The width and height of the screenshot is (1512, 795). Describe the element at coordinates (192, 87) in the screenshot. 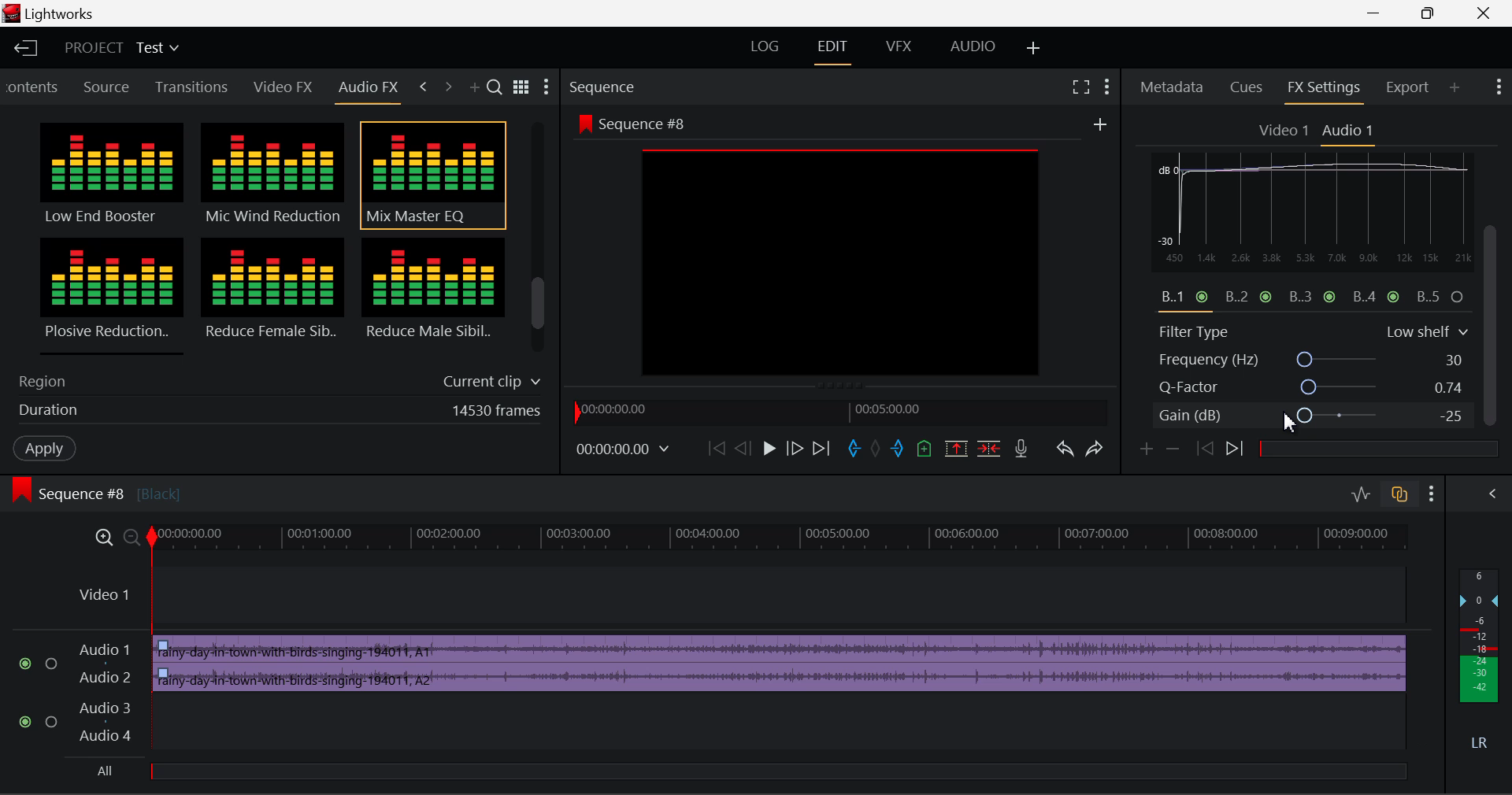

I see `Transitions` at that location.